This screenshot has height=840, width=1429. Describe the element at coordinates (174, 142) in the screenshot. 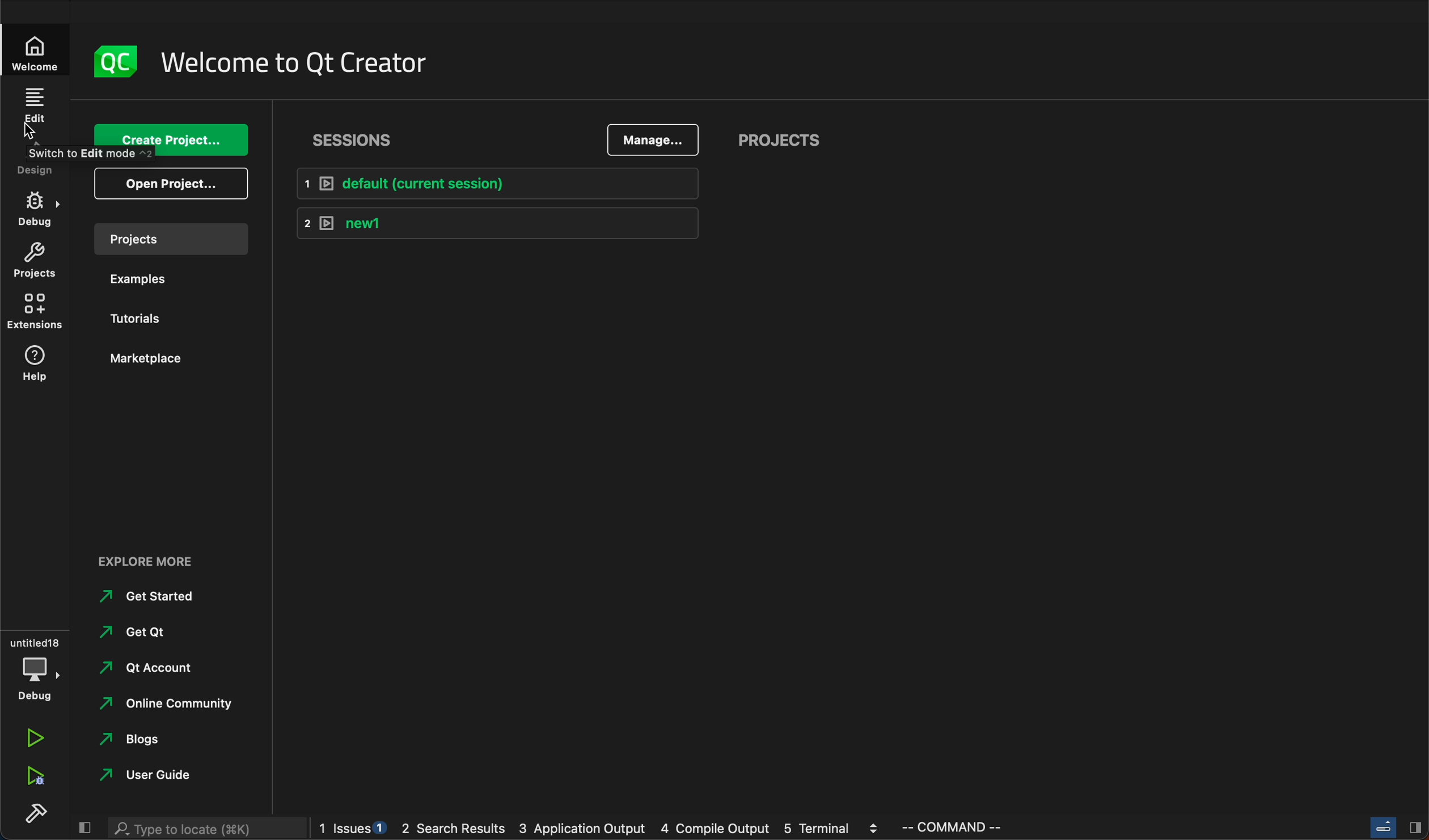

I see `create` at that location.